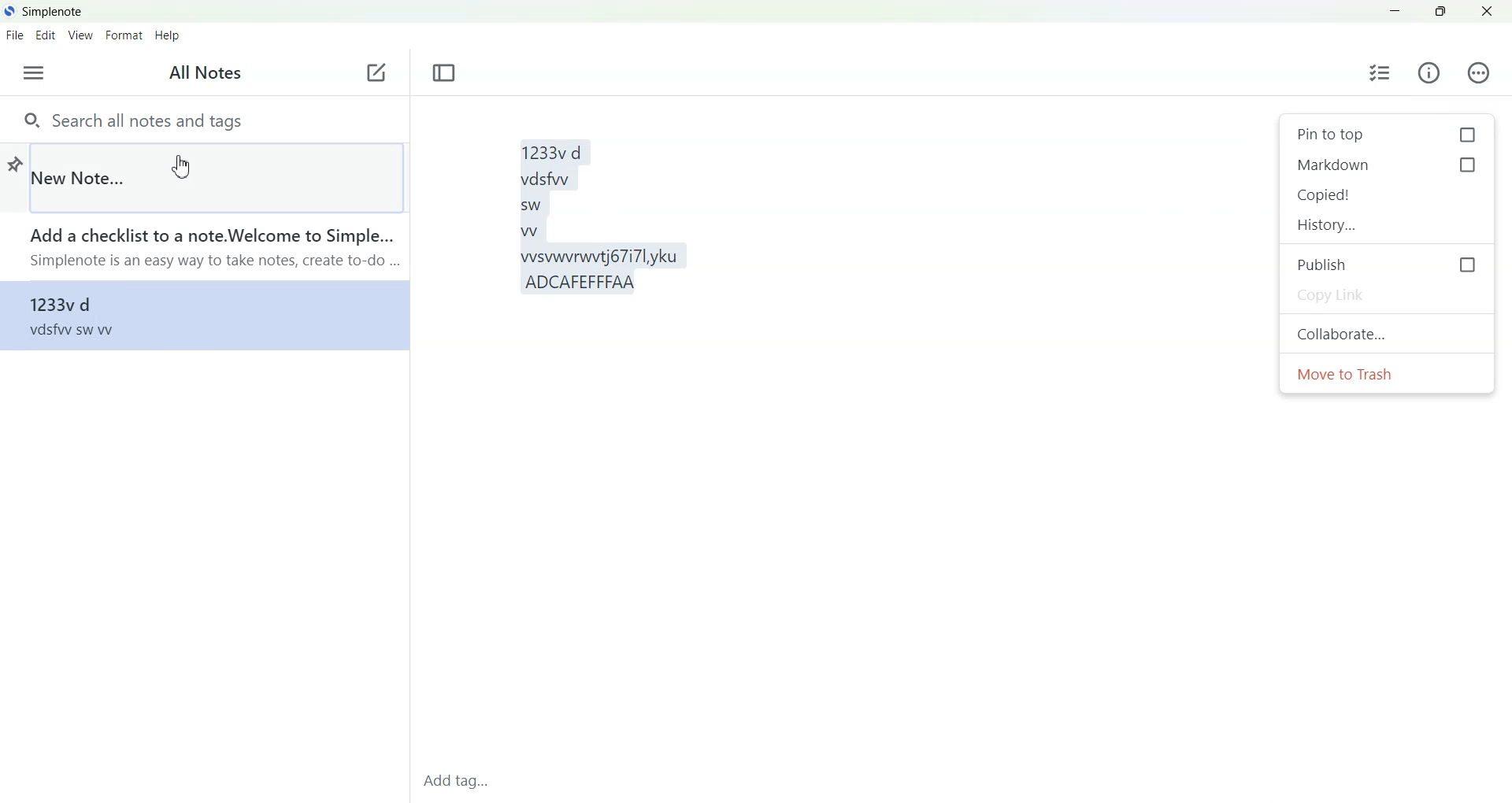 This screenshot has width=1512, height=803. I want to click on New Note, so click(217, 176).